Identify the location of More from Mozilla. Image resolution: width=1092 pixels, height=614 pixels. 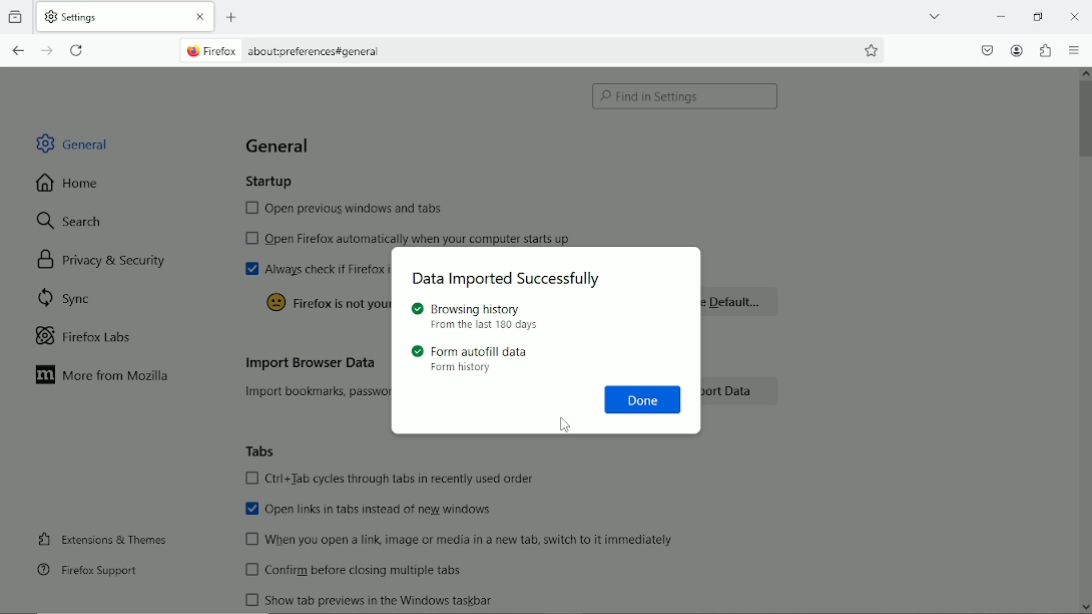
(107, 377).